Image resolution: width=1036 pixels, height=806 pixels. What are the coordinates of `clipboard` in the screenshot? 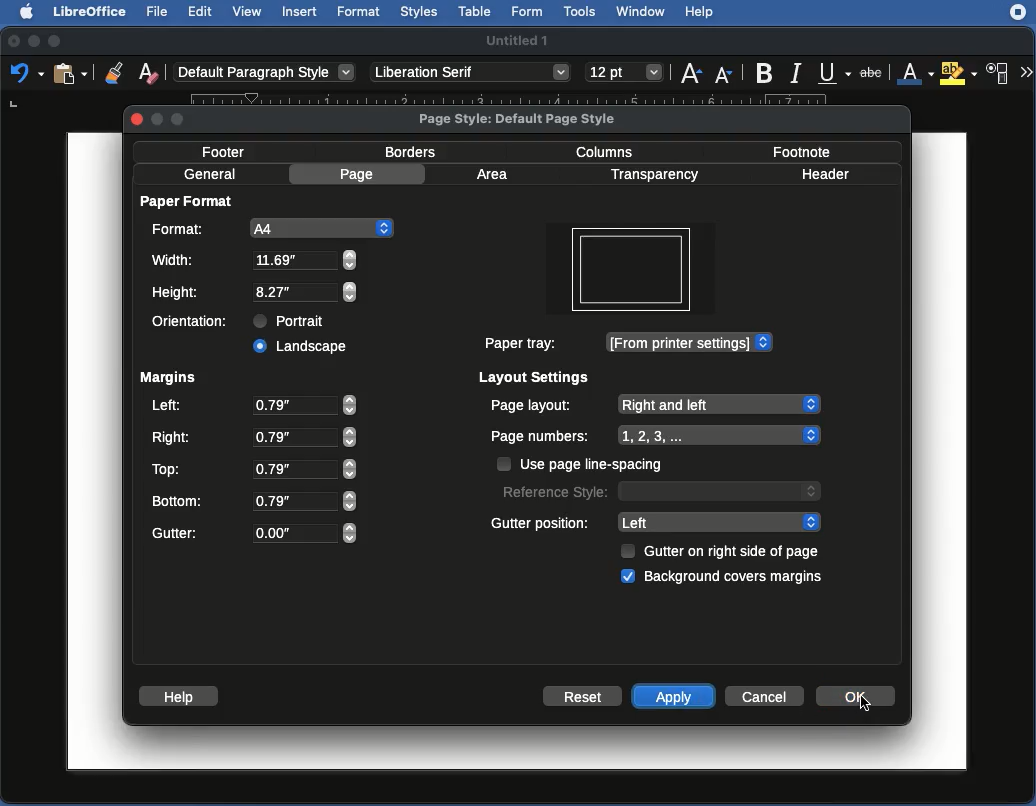 It's located at (70, 74).